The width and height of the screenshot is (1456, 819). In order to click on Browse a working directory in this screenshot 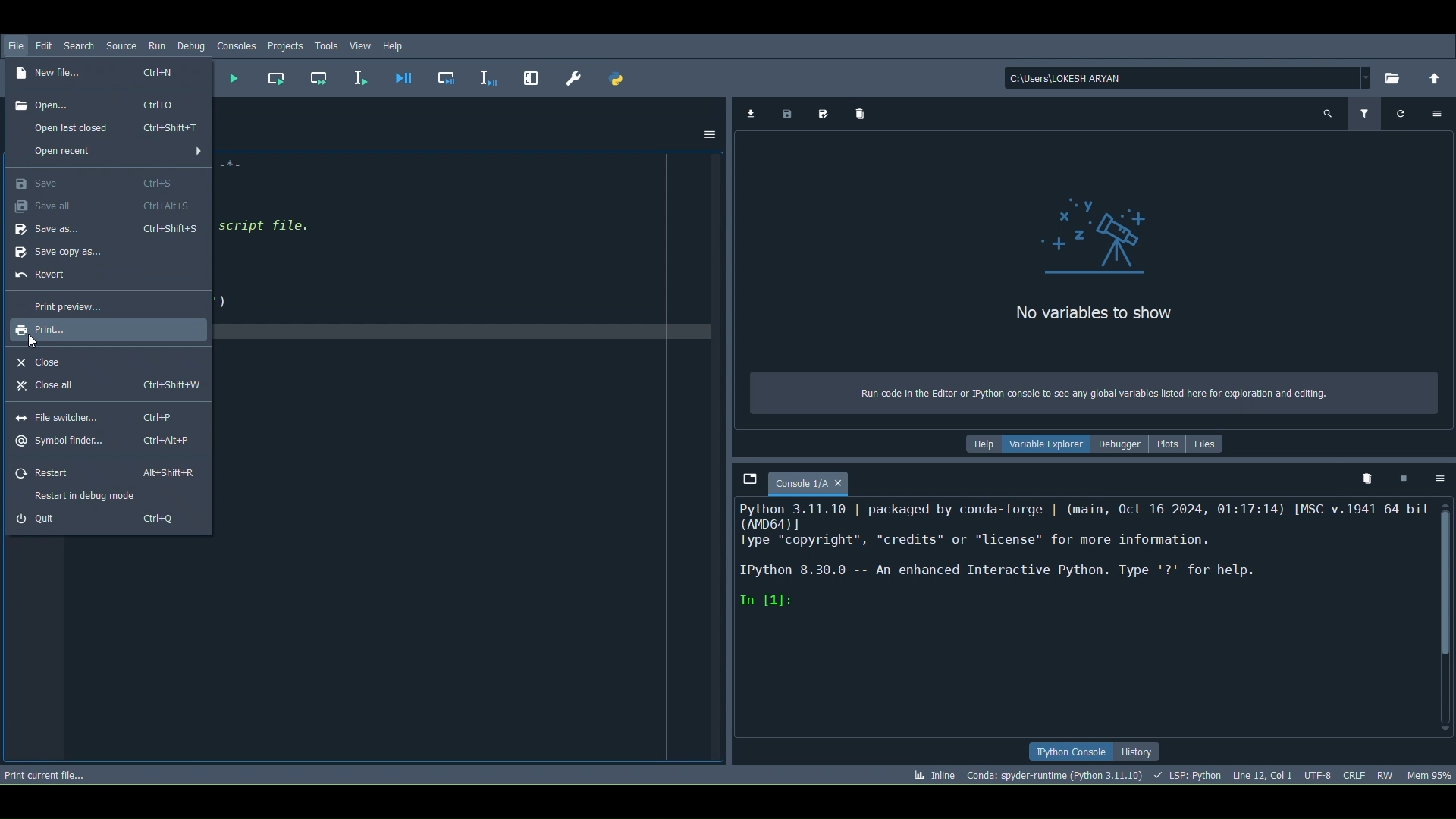, I will do `click(1394, 78)`.